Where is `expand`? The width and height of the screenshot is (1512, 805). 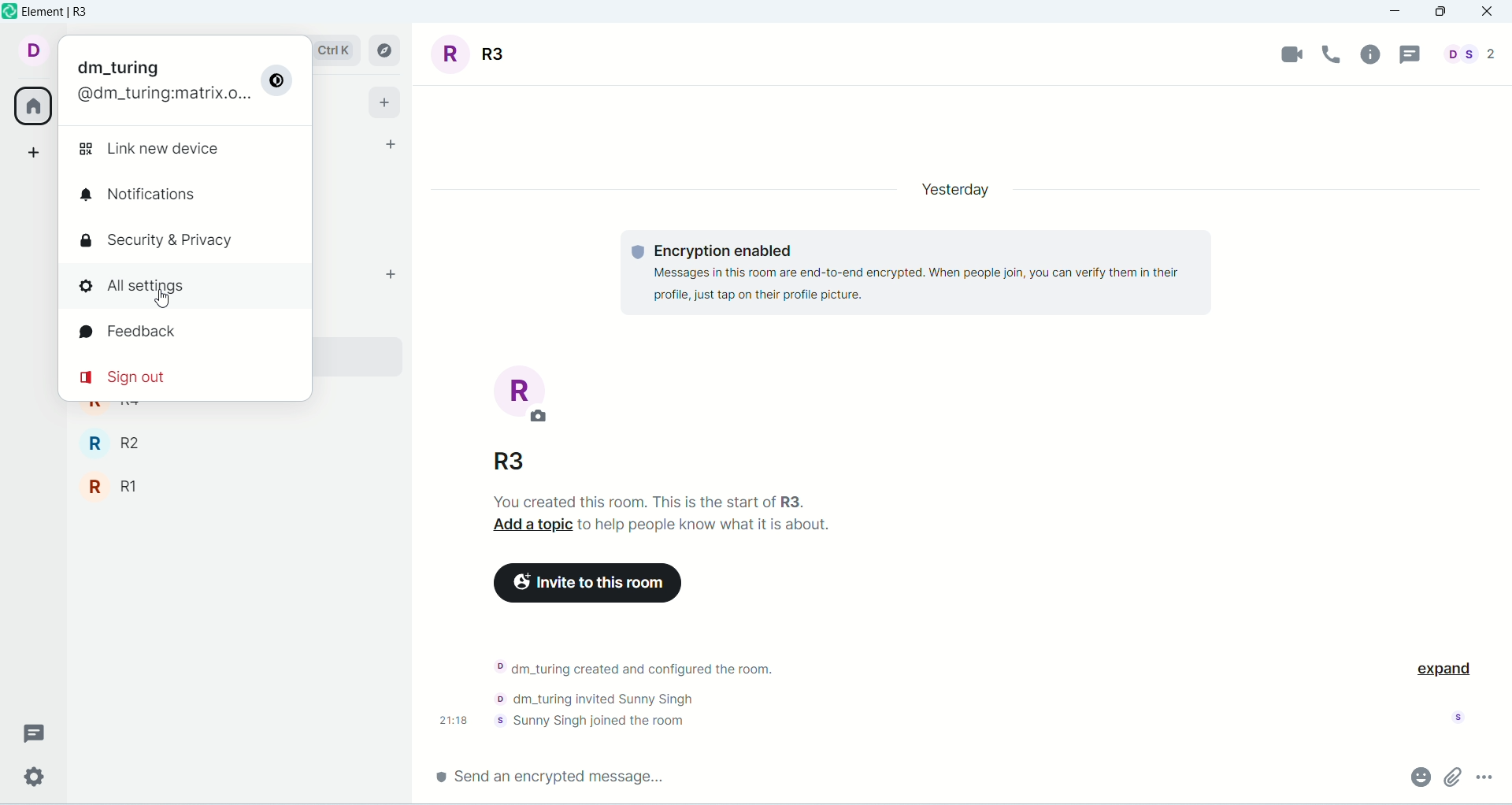 expand is located at coordinates (1442, 667).